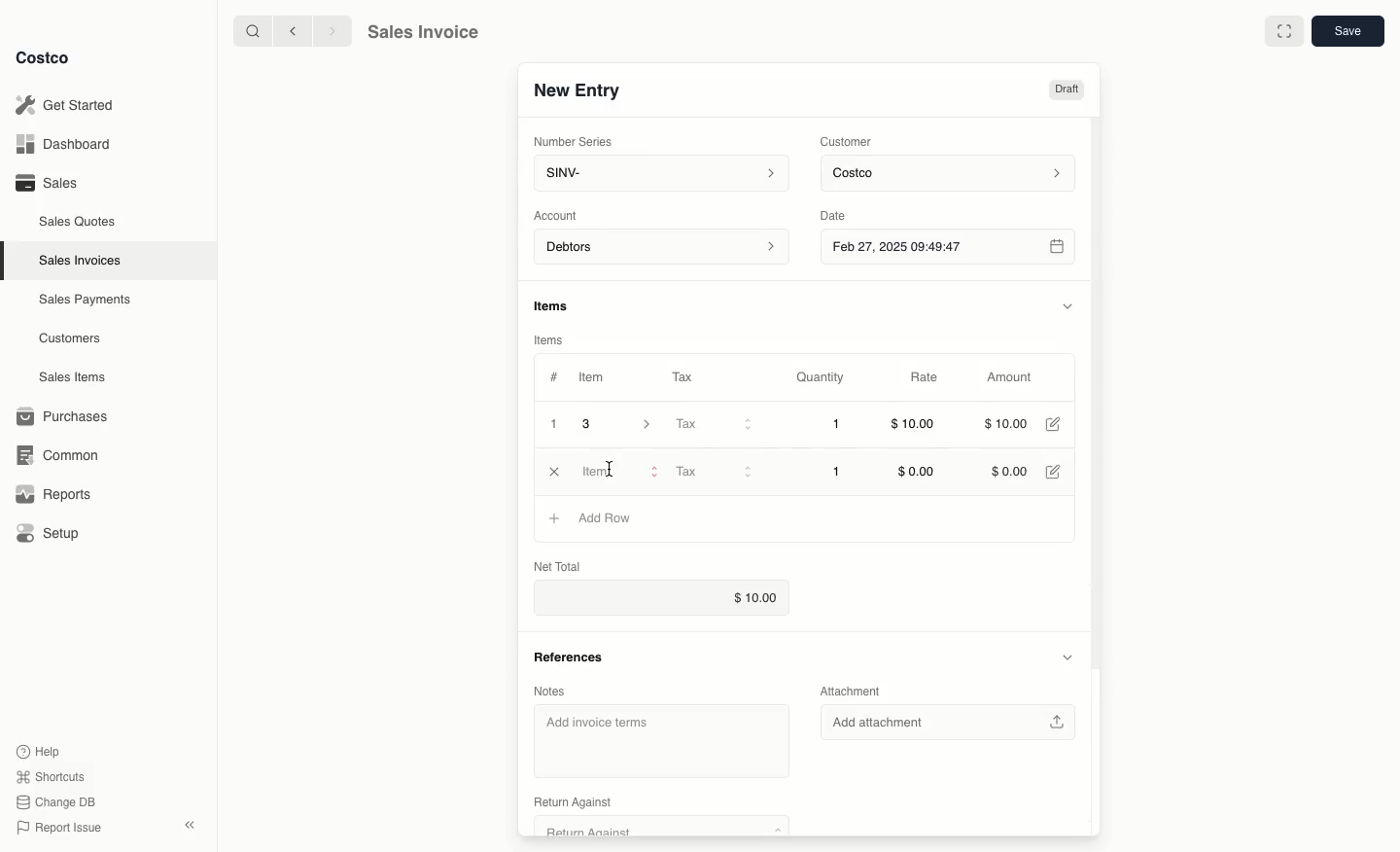 The height and width of the screenshot is (852, 1400). I want to click on Rate, so click(926, 378).